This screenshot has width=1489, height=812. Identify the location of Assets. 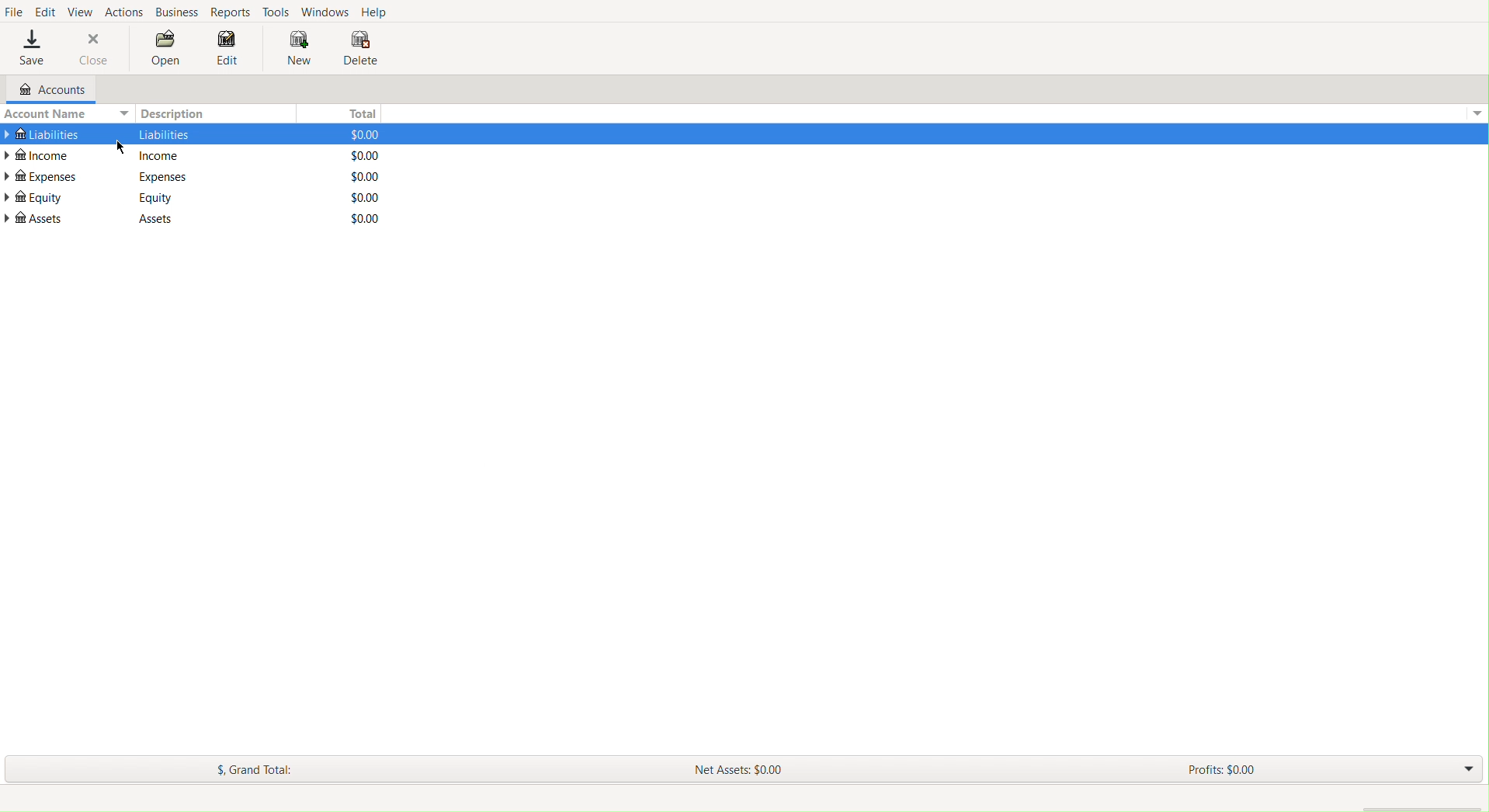
(148, 219).